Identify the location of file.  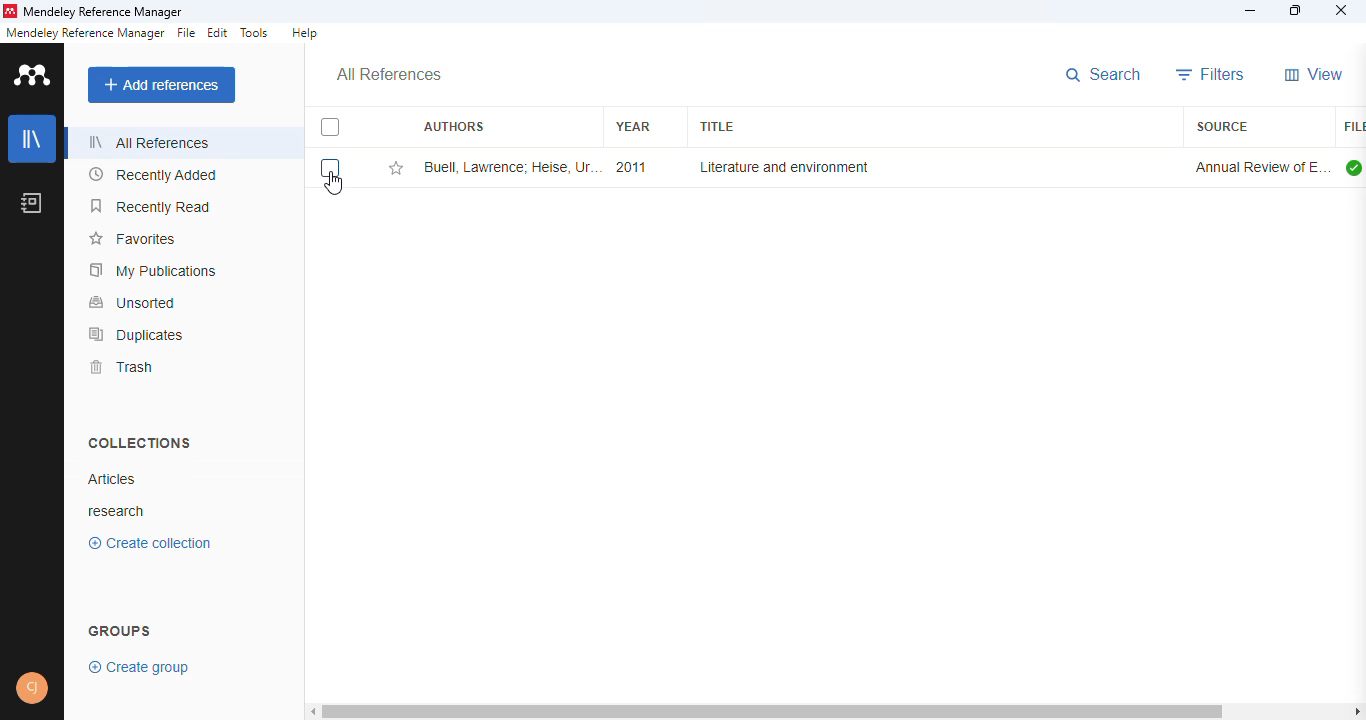
(185, 33).